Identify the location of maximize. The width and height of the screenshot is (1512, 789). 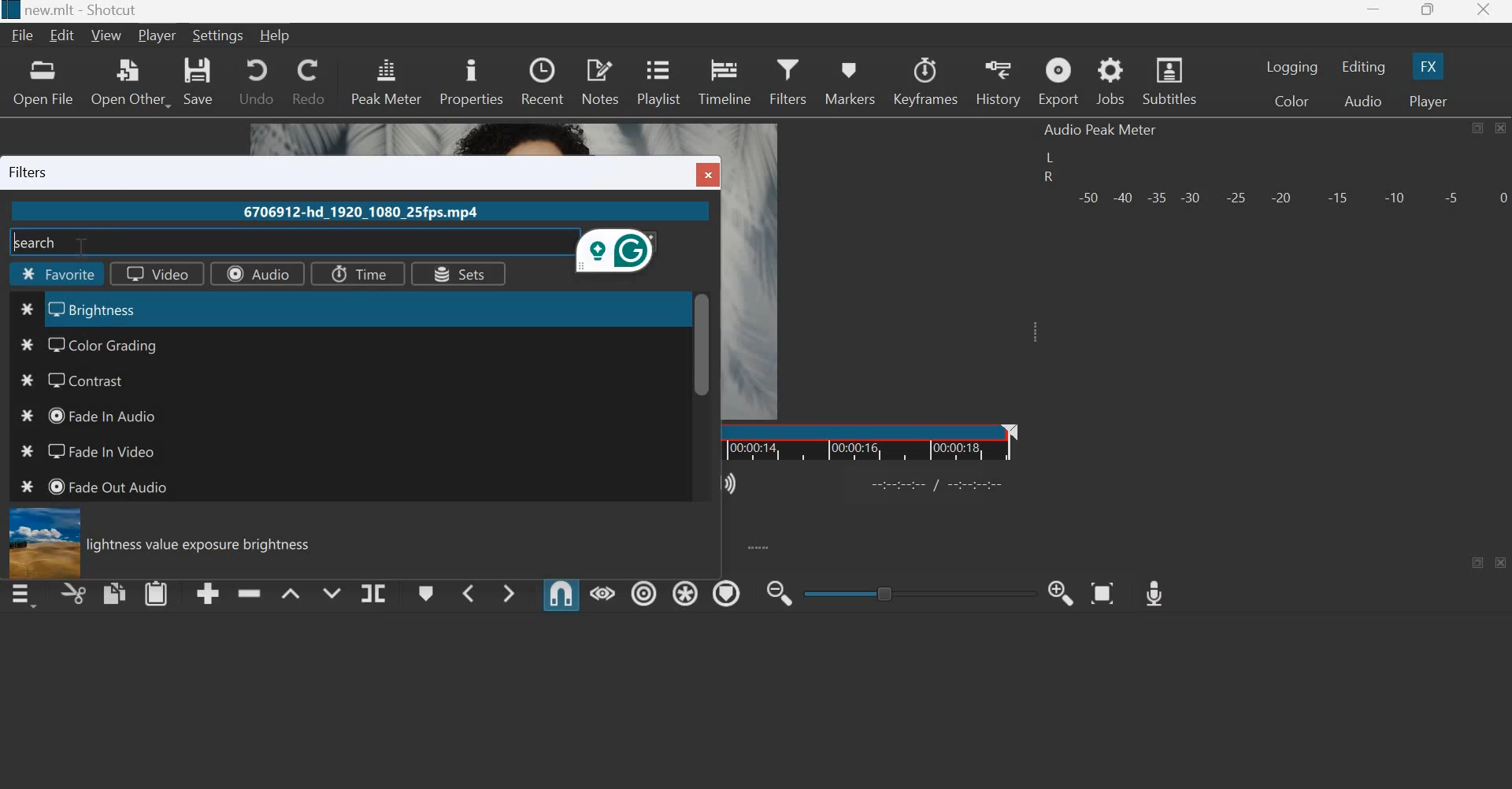
(1427, 12).